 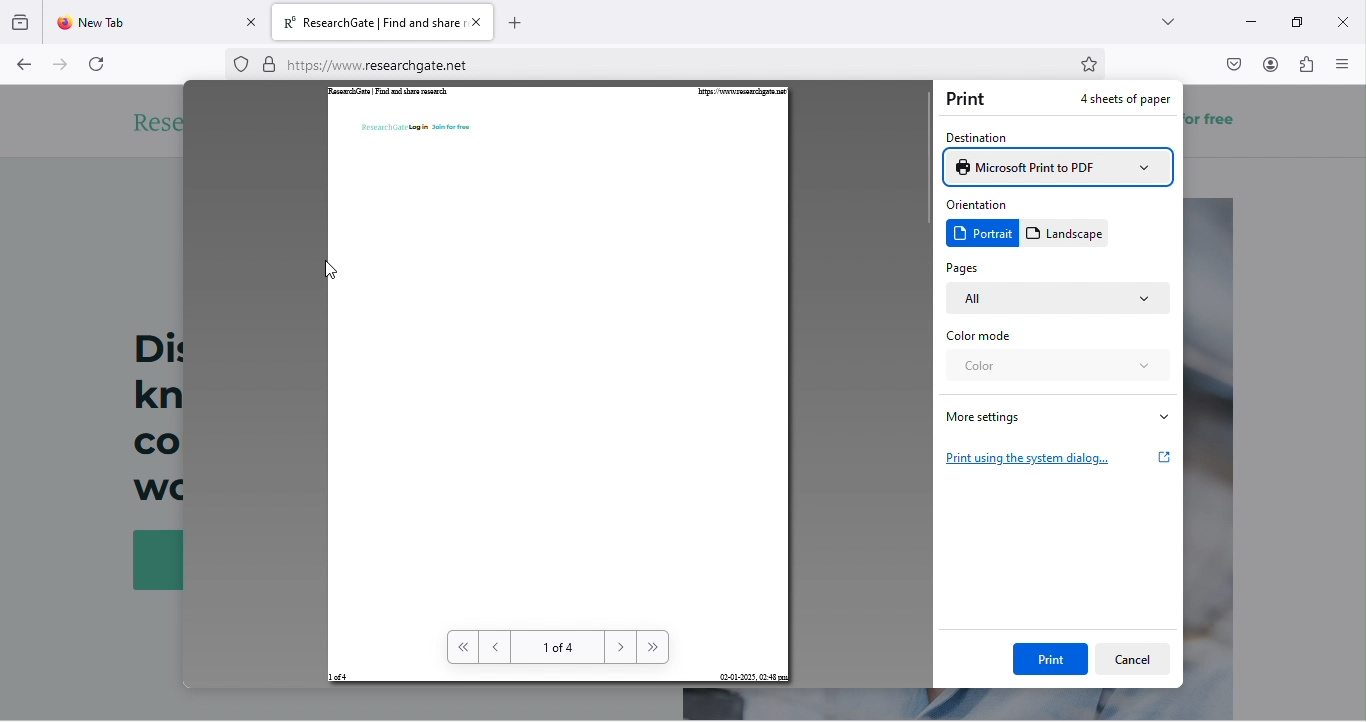 I want to click on 02-01-2025, 02:48 pm, so click(x=750, y=674).